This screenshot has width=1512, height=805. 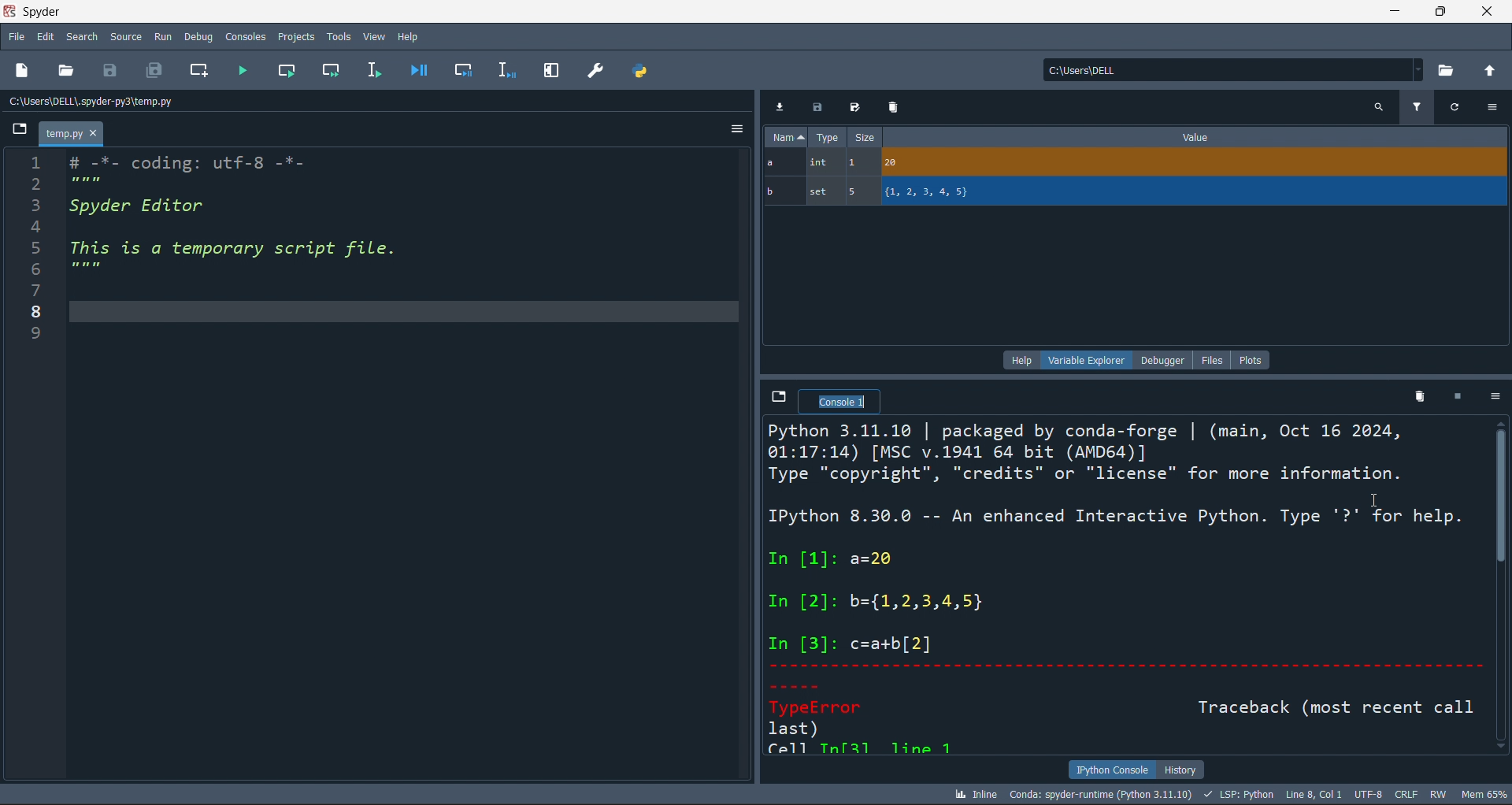 What do you see at coordinates (198, 35) in the screenshot?
I see `debuf` at bounding box center [198, 35].